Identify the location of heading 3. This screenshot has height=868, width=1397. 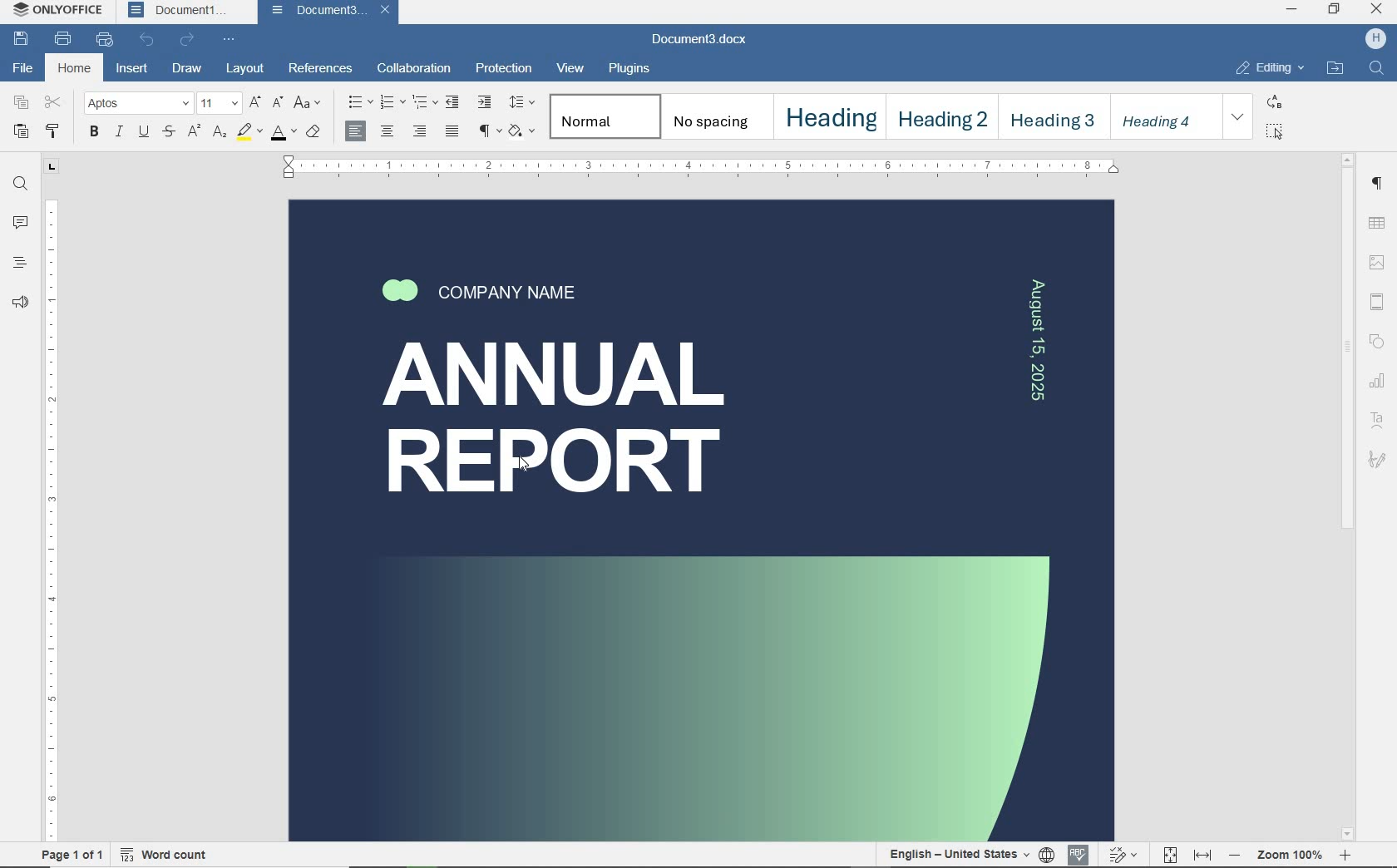
(1052, 116).